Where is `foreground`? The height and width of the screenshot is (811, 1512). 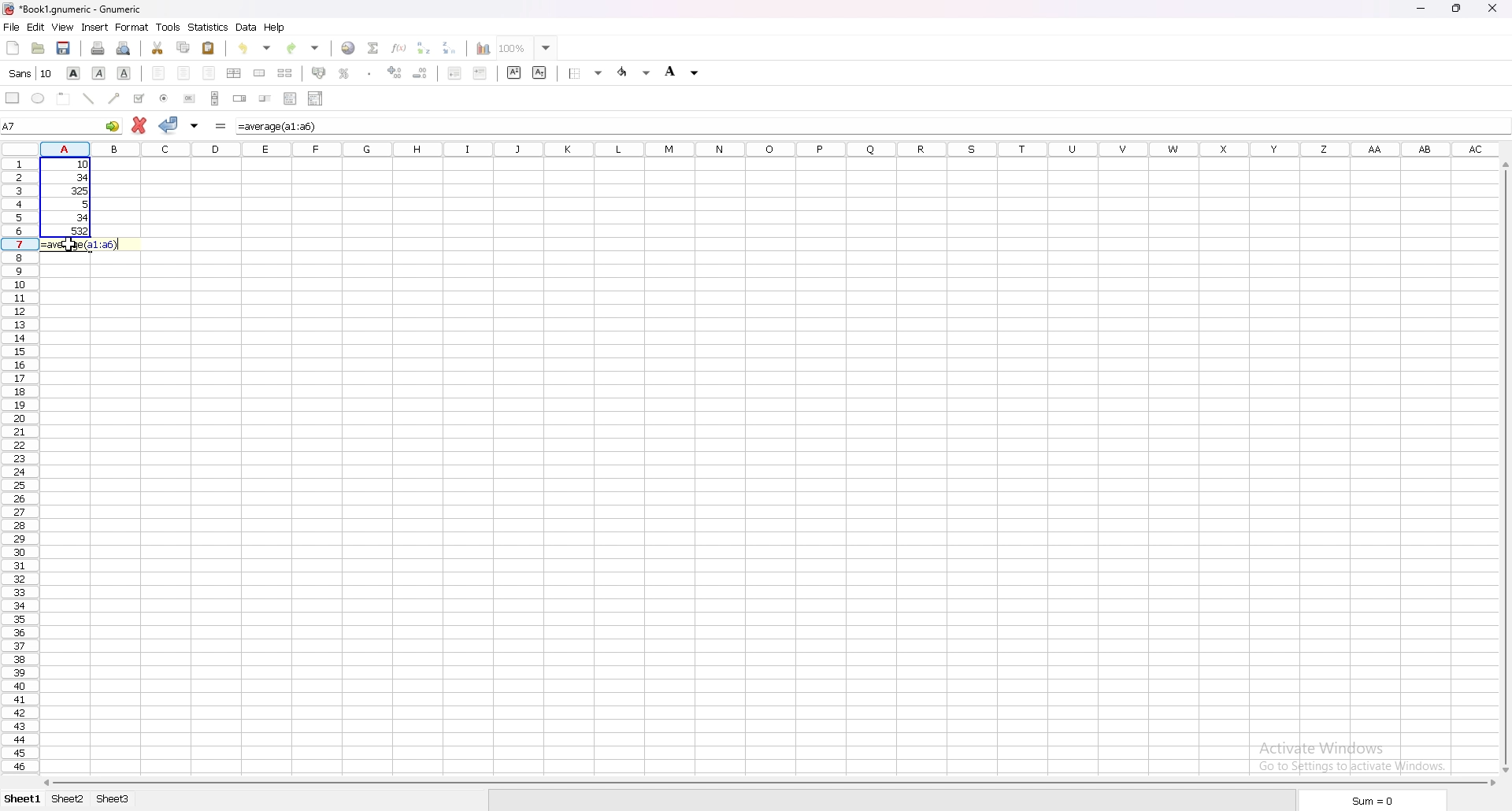 foreground is located at coordinates (633, 72).